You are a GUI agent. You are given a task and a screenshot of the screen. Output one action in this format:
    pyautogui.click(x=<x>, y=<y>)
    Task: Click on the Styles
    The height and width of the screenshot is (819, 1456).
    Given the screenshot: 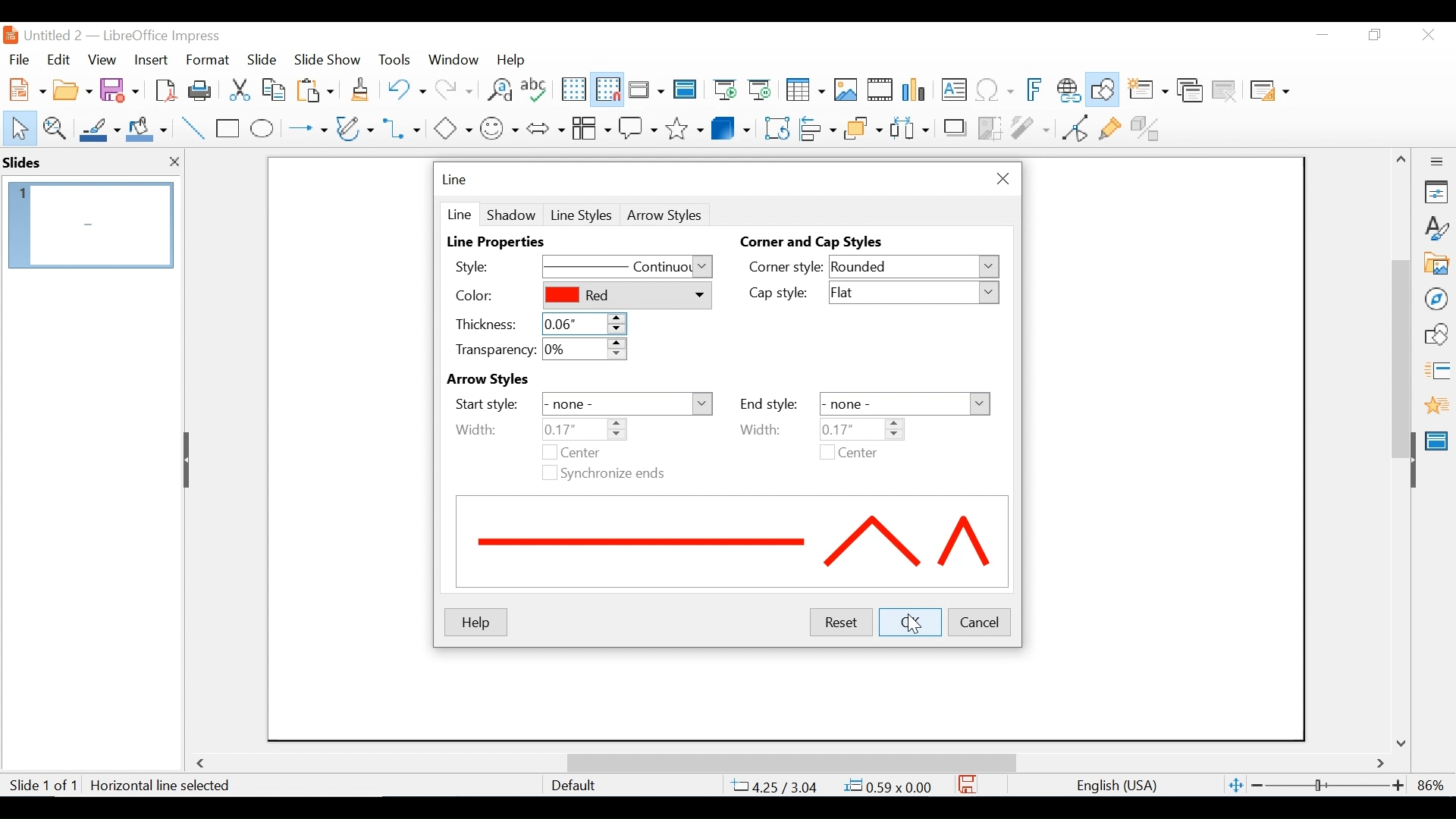 What is the action you would take?
    pyautogui.click(x=1437, y=229)
    